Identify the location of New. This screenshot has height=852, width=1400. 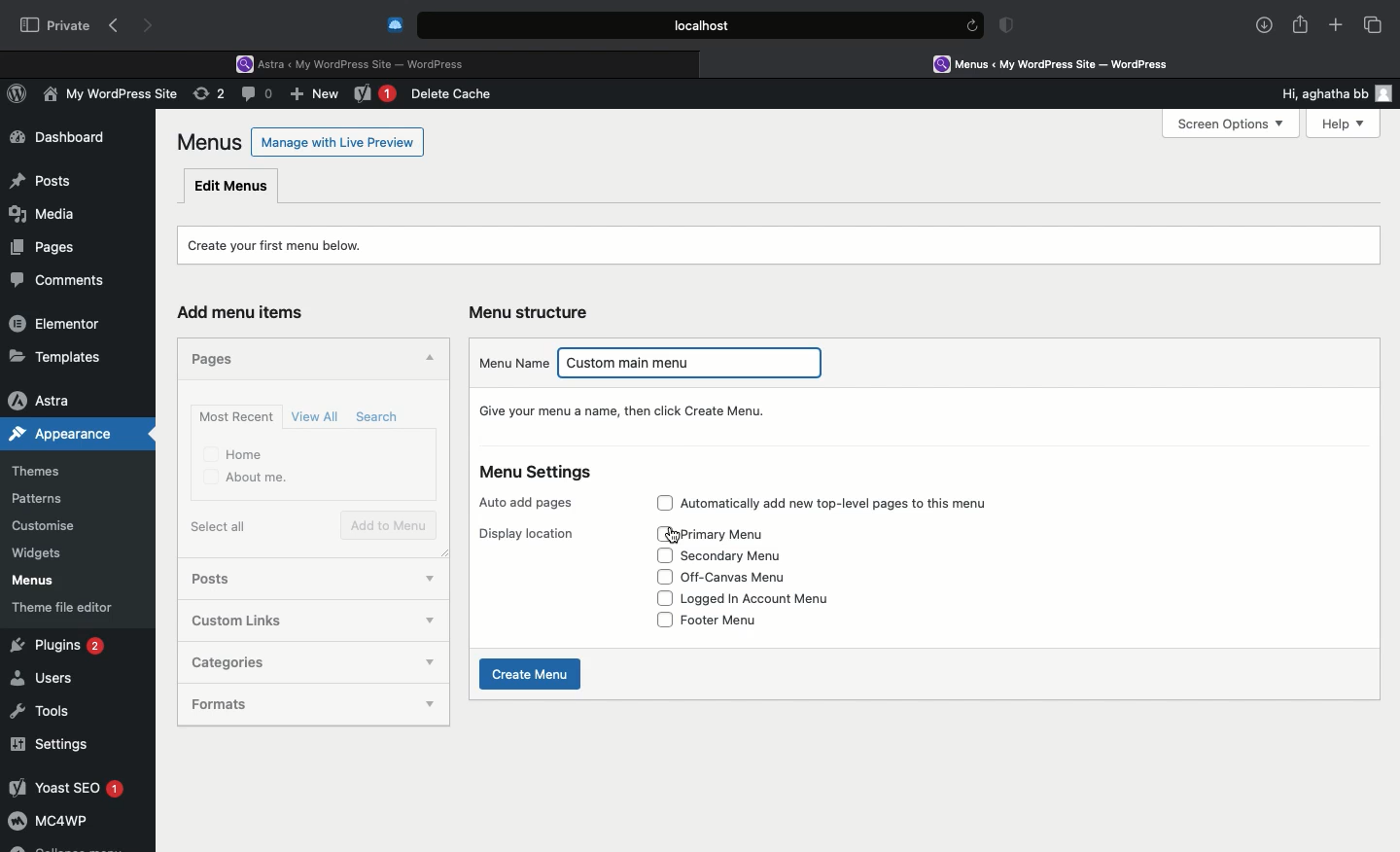
(317, 96).